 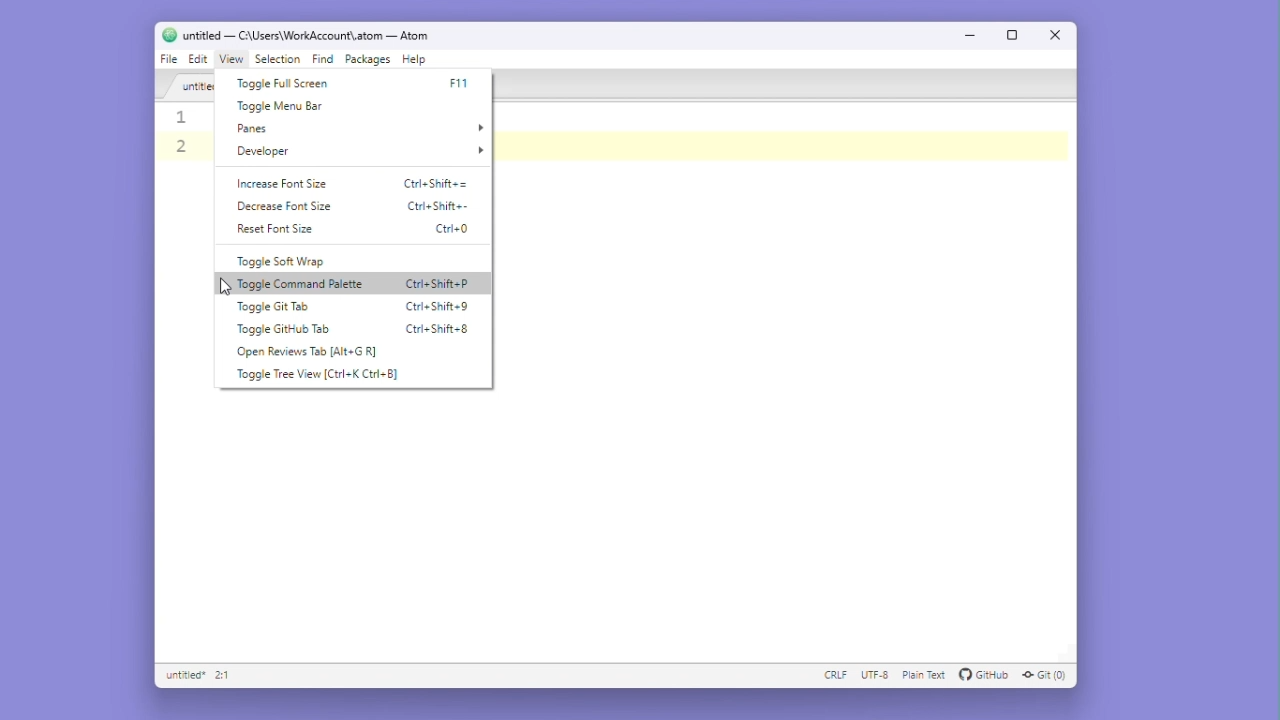 I want to click on ctrl+shift+b, so click(x=440, y=328).